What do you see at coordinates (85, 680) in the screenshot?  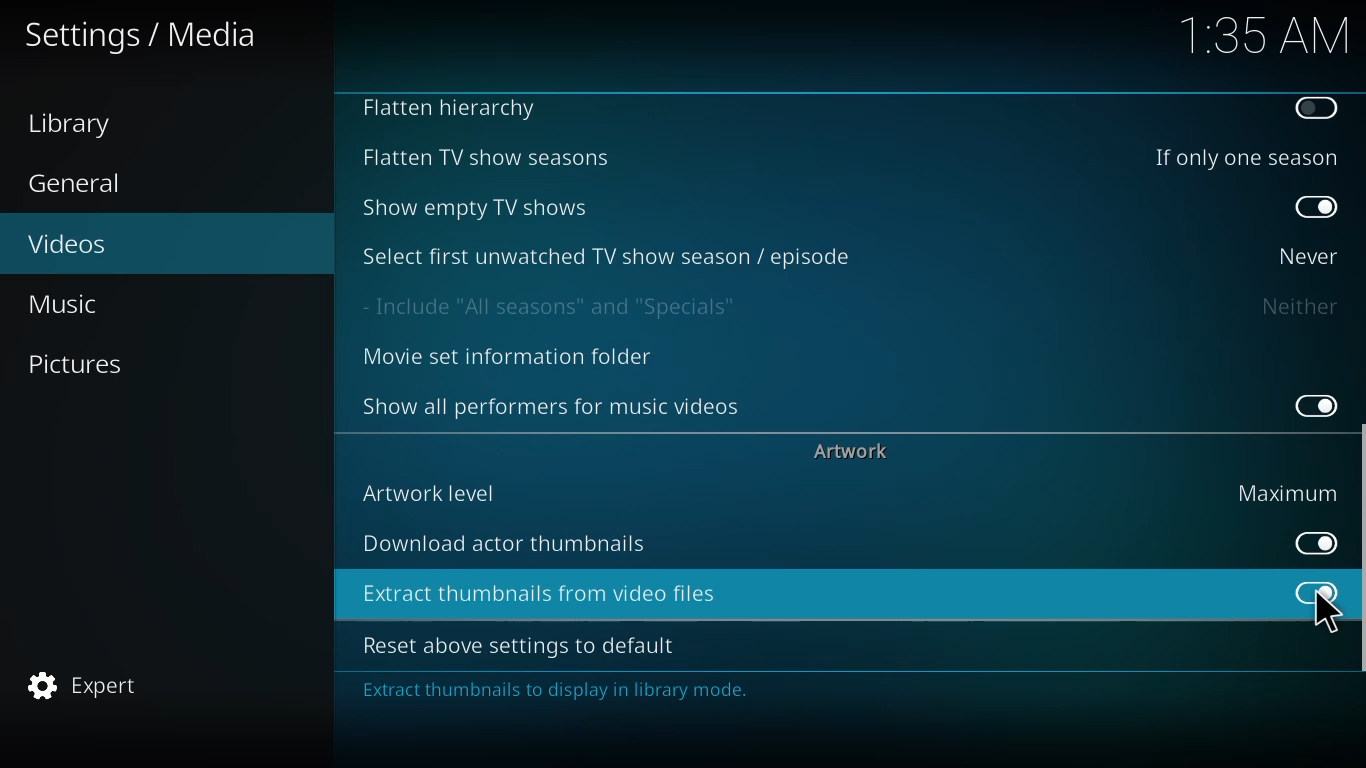 I see `expert` at bounding box center [85, 680].